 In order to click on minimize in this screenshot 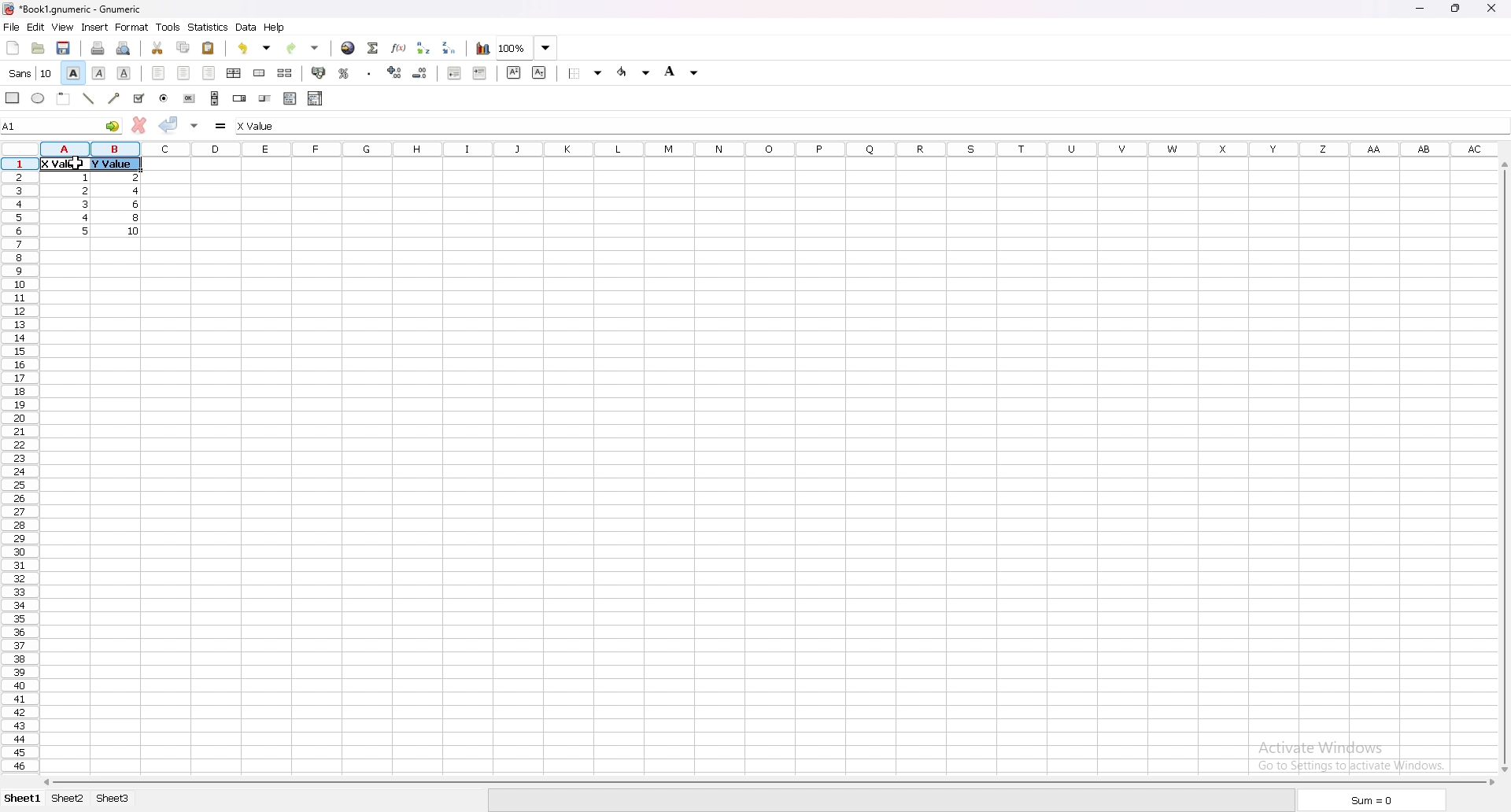, I will do `click(1420, 9)`.